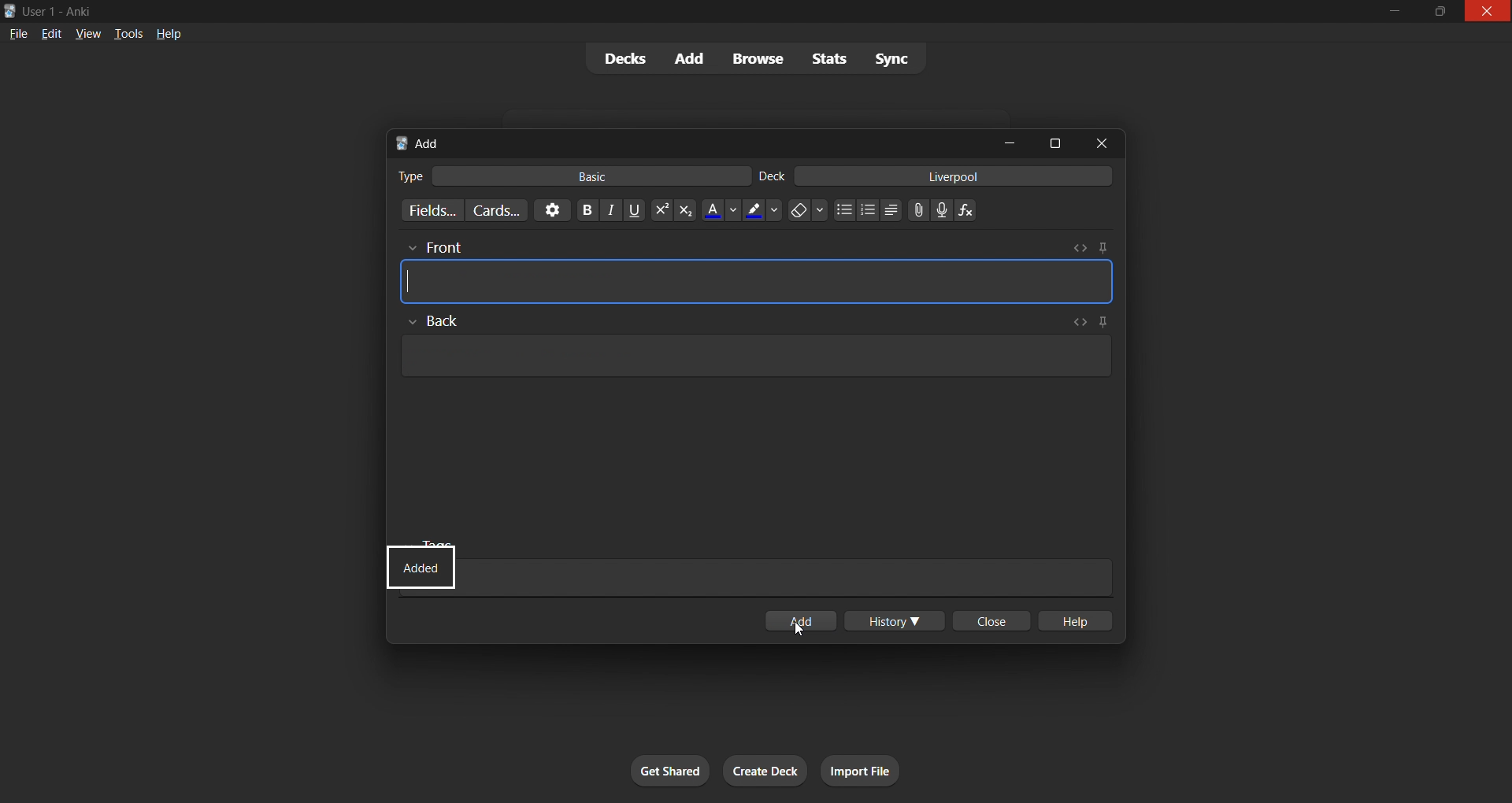 The height and width of the screenshot is (803, 1512). I want to click on close, so click(992, 621).